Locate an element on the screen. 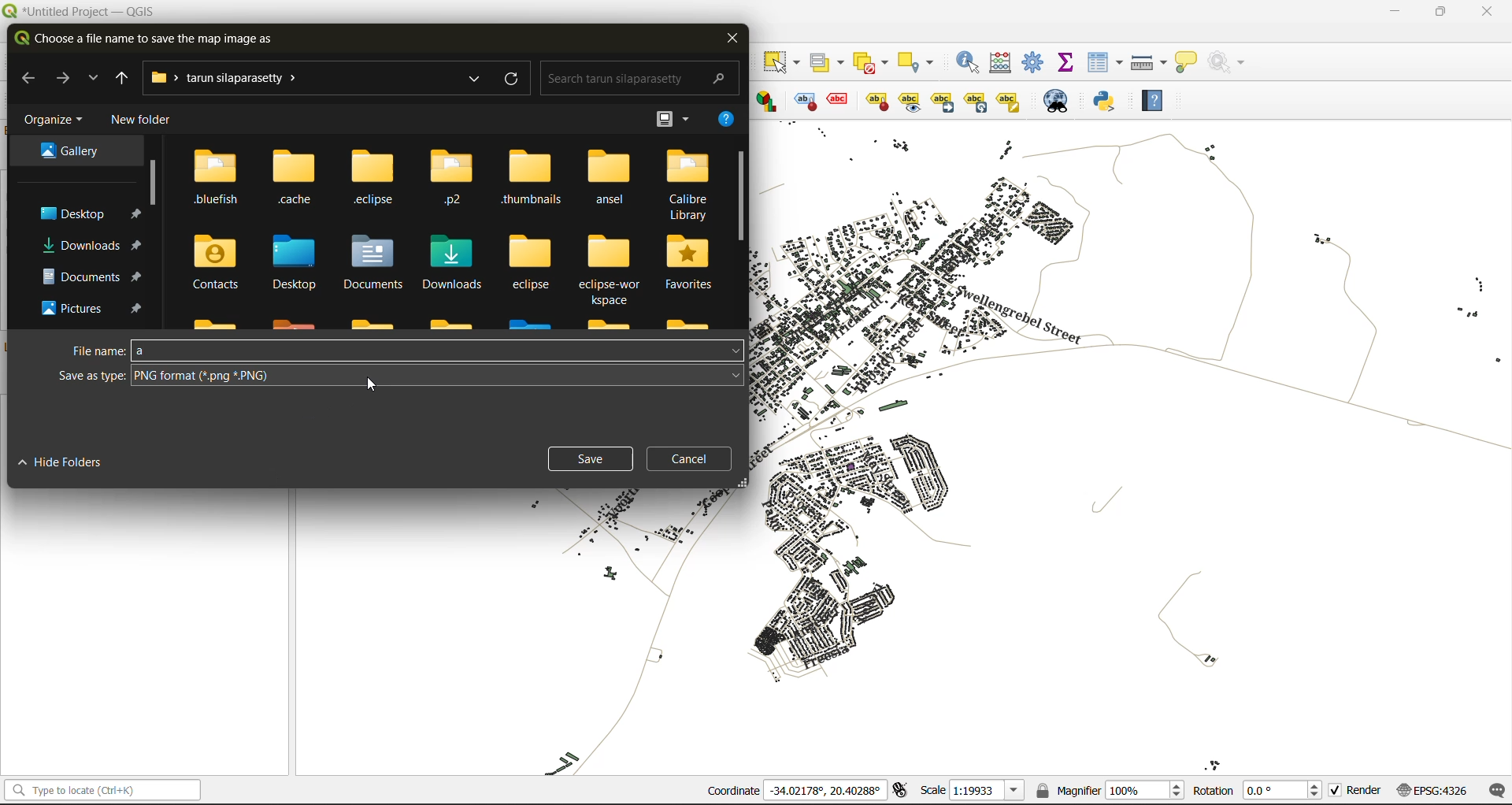 This screenshot has width=1512, height=805. Move a label, diagrams or callout is located at coordinates (943, 101).